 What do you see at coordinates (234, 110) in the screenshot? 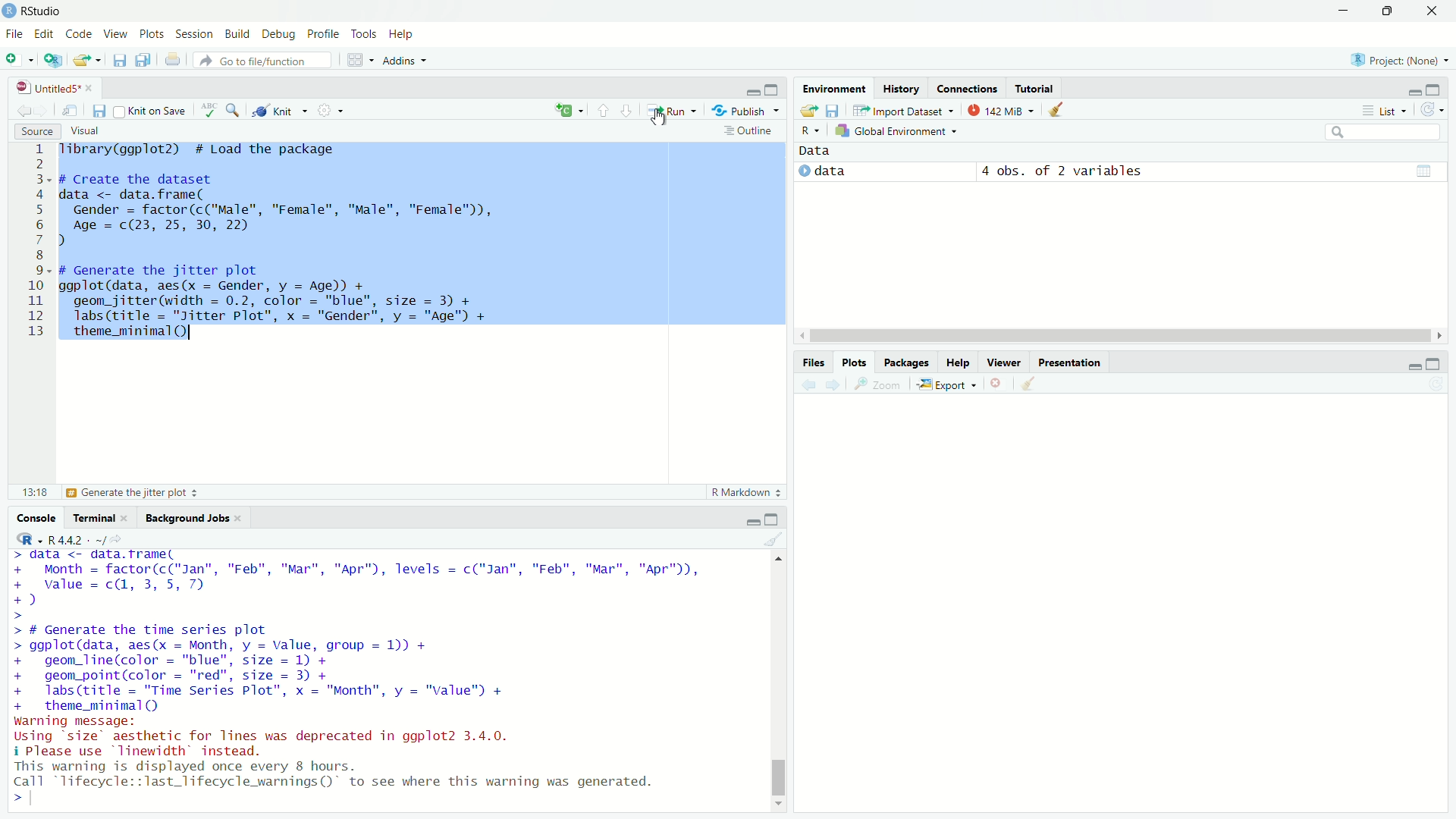
I see `find/replace` at bounding box center [234, 110].